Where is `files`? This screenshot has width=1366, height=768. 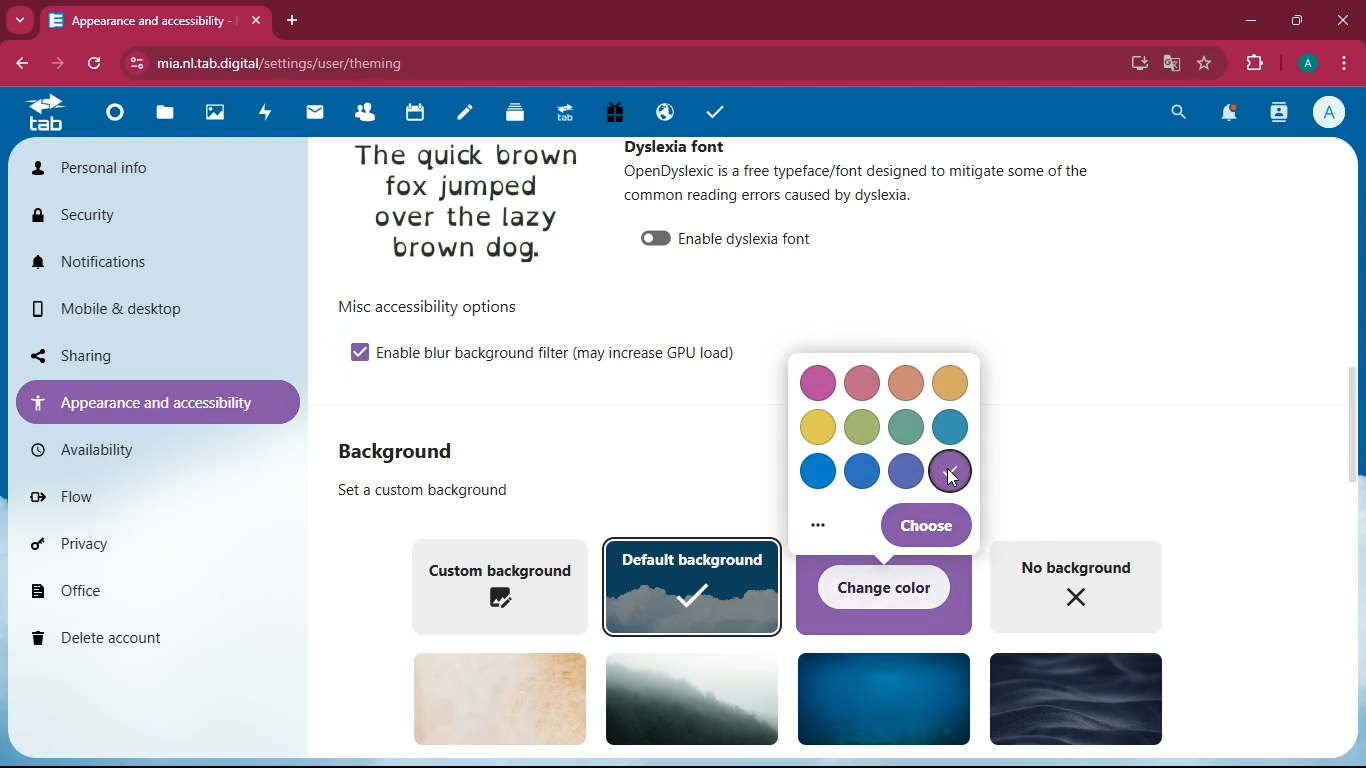
files is located at coordinates (165, 115).